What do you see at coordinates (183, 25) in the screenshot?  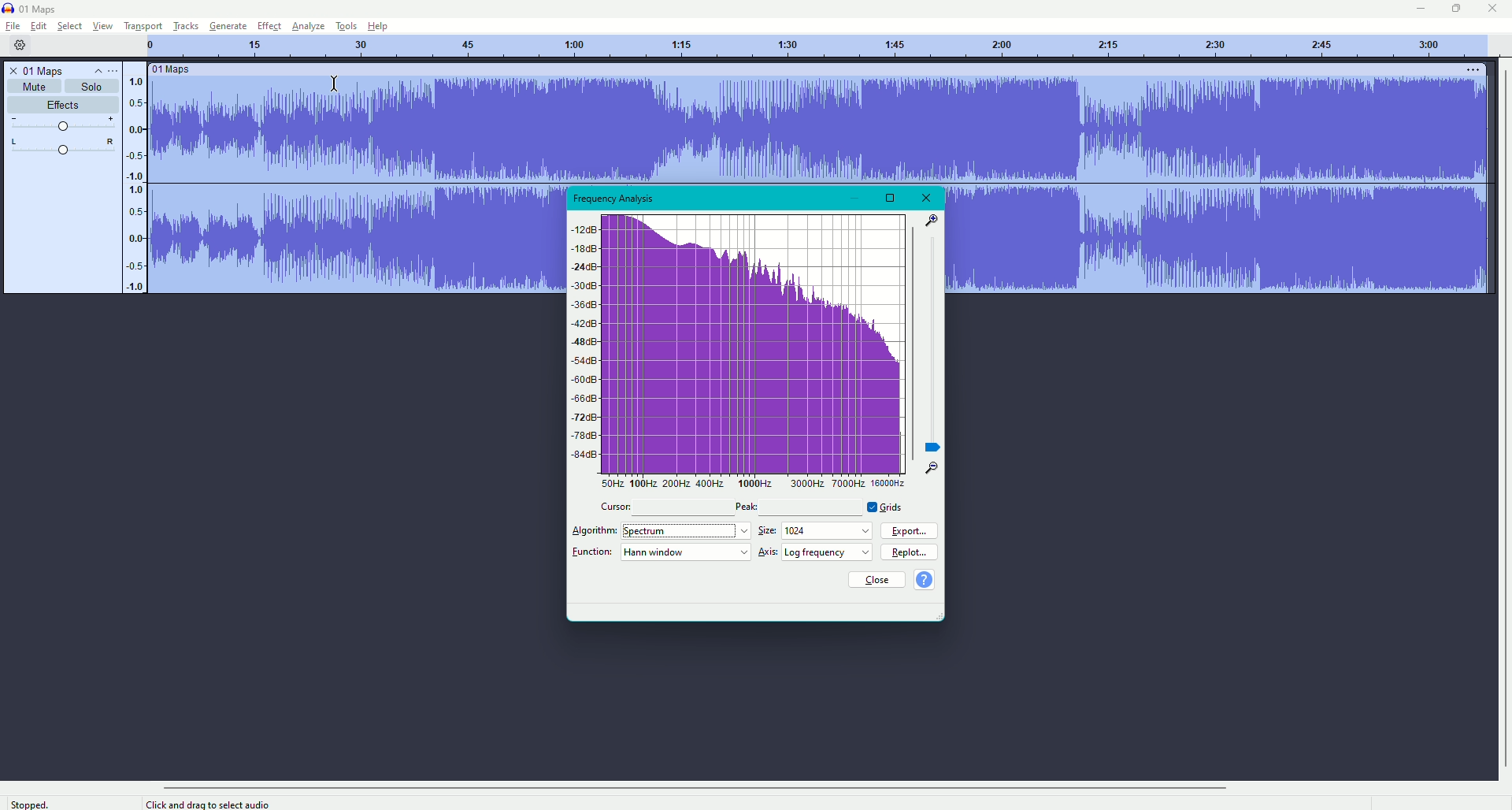 I see `Tracks` at bounding box center [183, 25].